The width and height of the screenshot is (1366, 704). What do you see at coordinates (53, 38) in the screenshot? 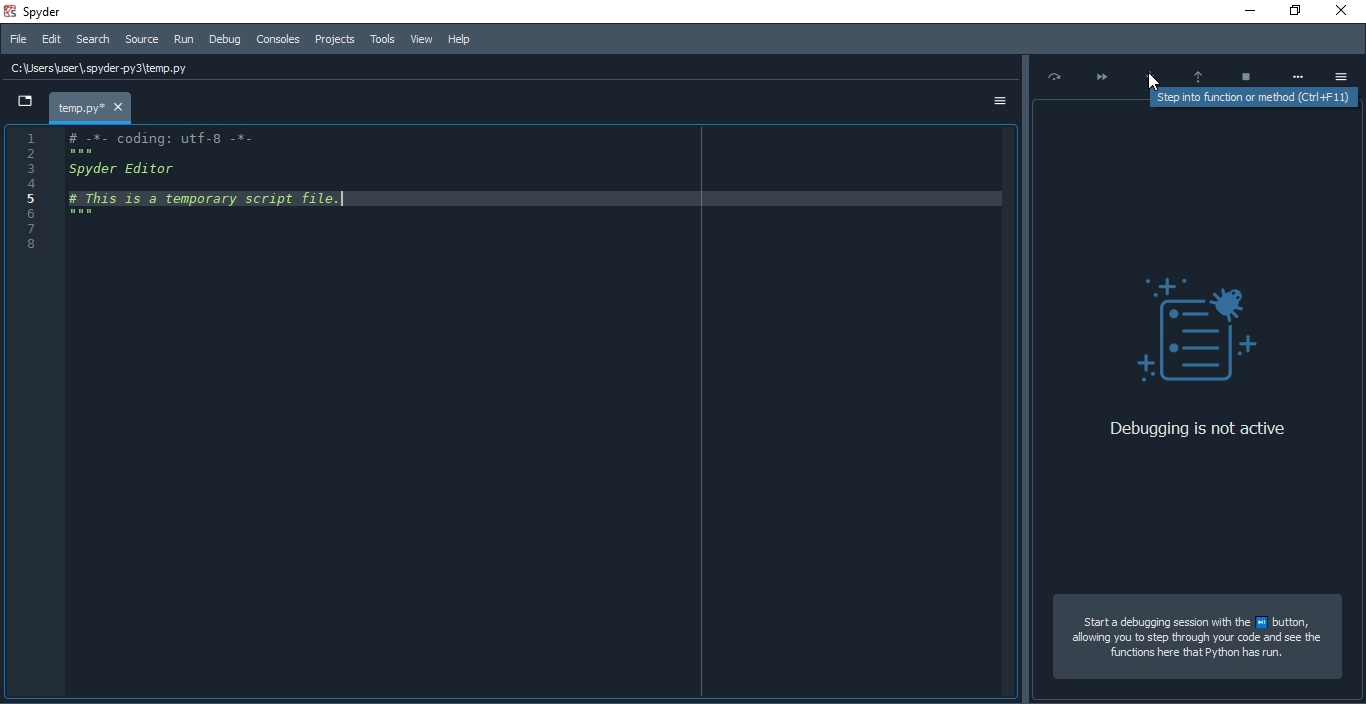
I see `Edit` at bounding box center [53, 38].